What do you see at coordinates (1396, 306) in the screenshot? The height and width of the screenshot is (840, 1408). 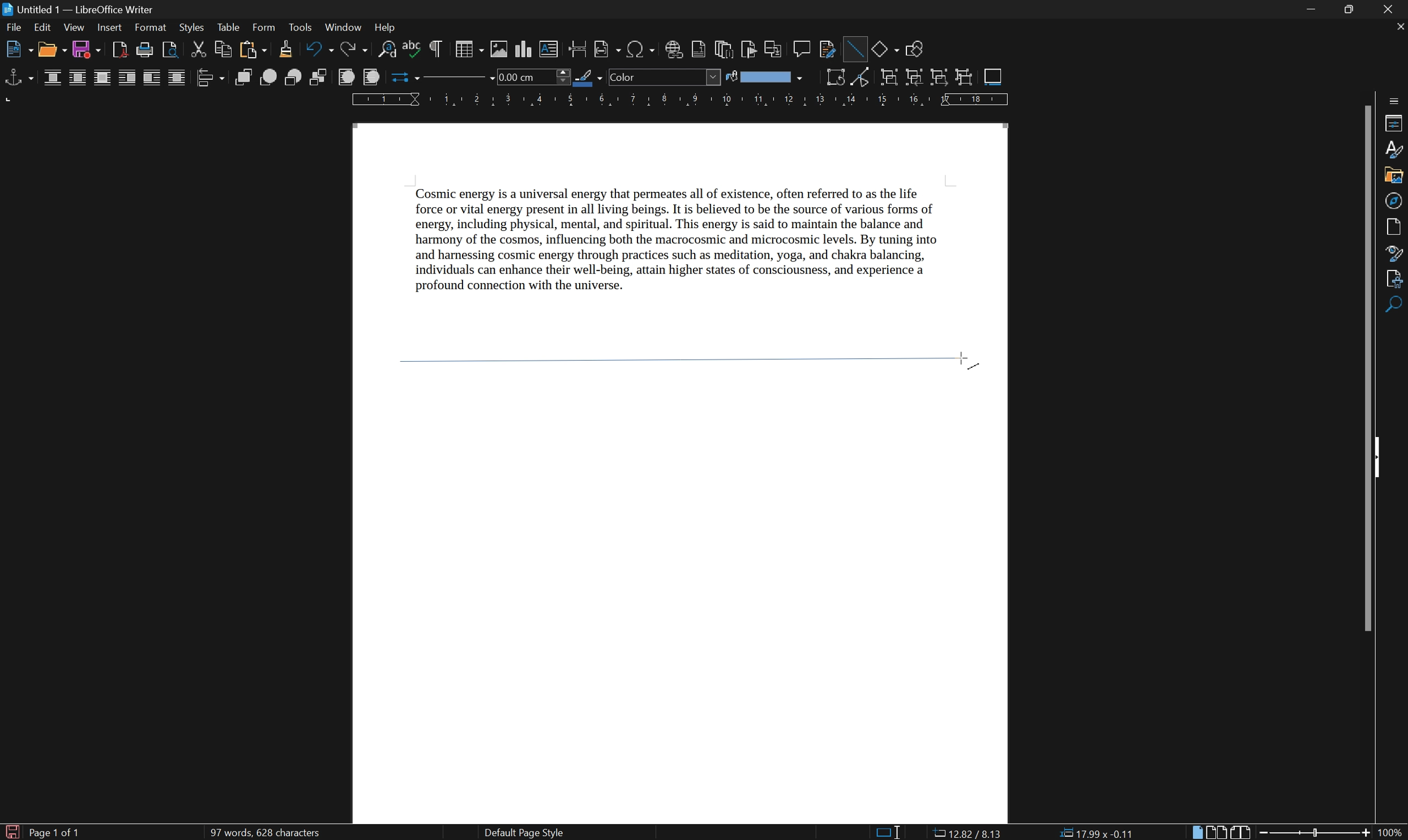 I see `accessibility check` at bounding box center [1396, 306].